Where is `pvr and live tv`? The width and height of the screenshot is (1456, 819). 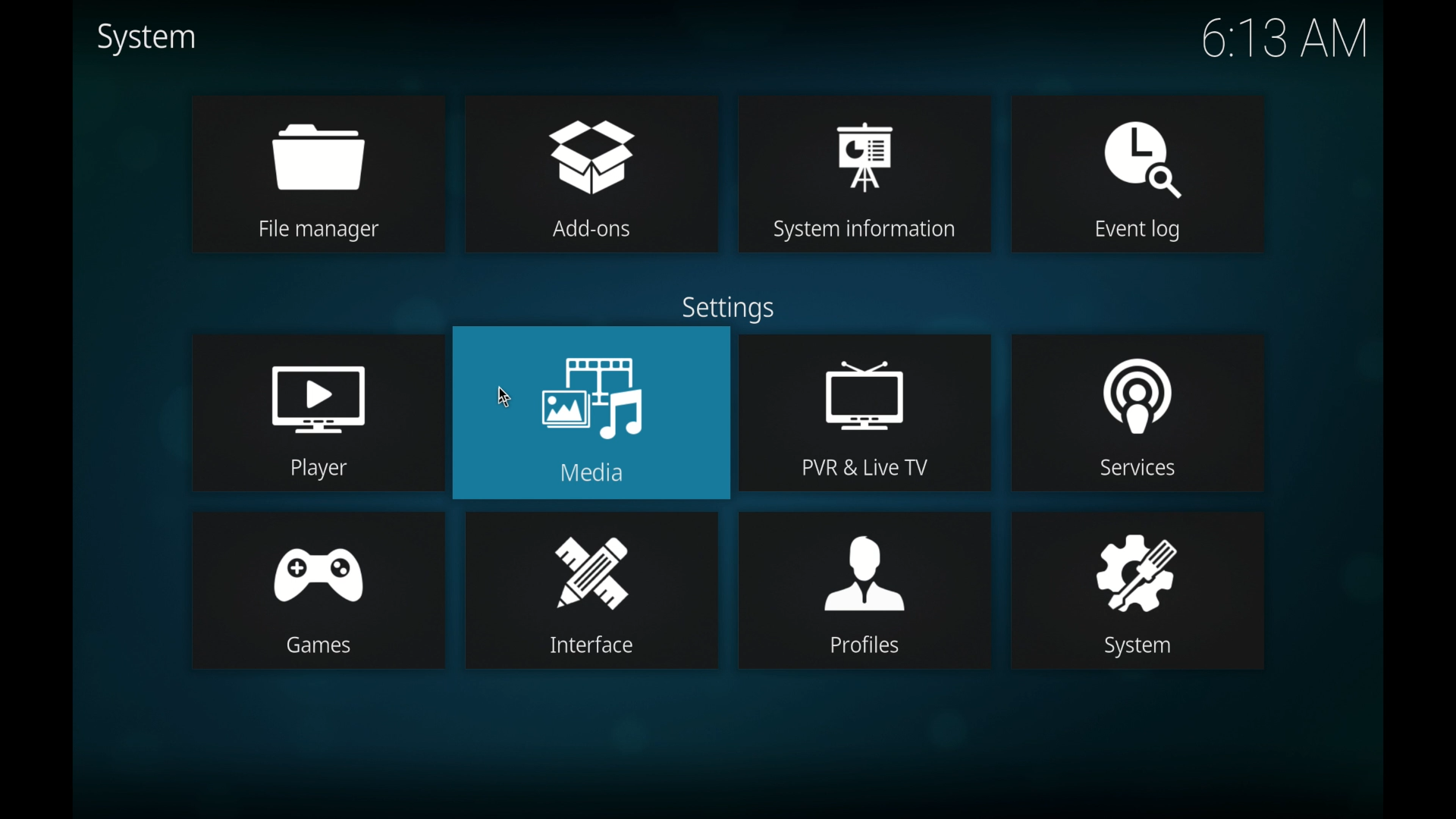 pvr and live tv is located at coordinates (868, 415).